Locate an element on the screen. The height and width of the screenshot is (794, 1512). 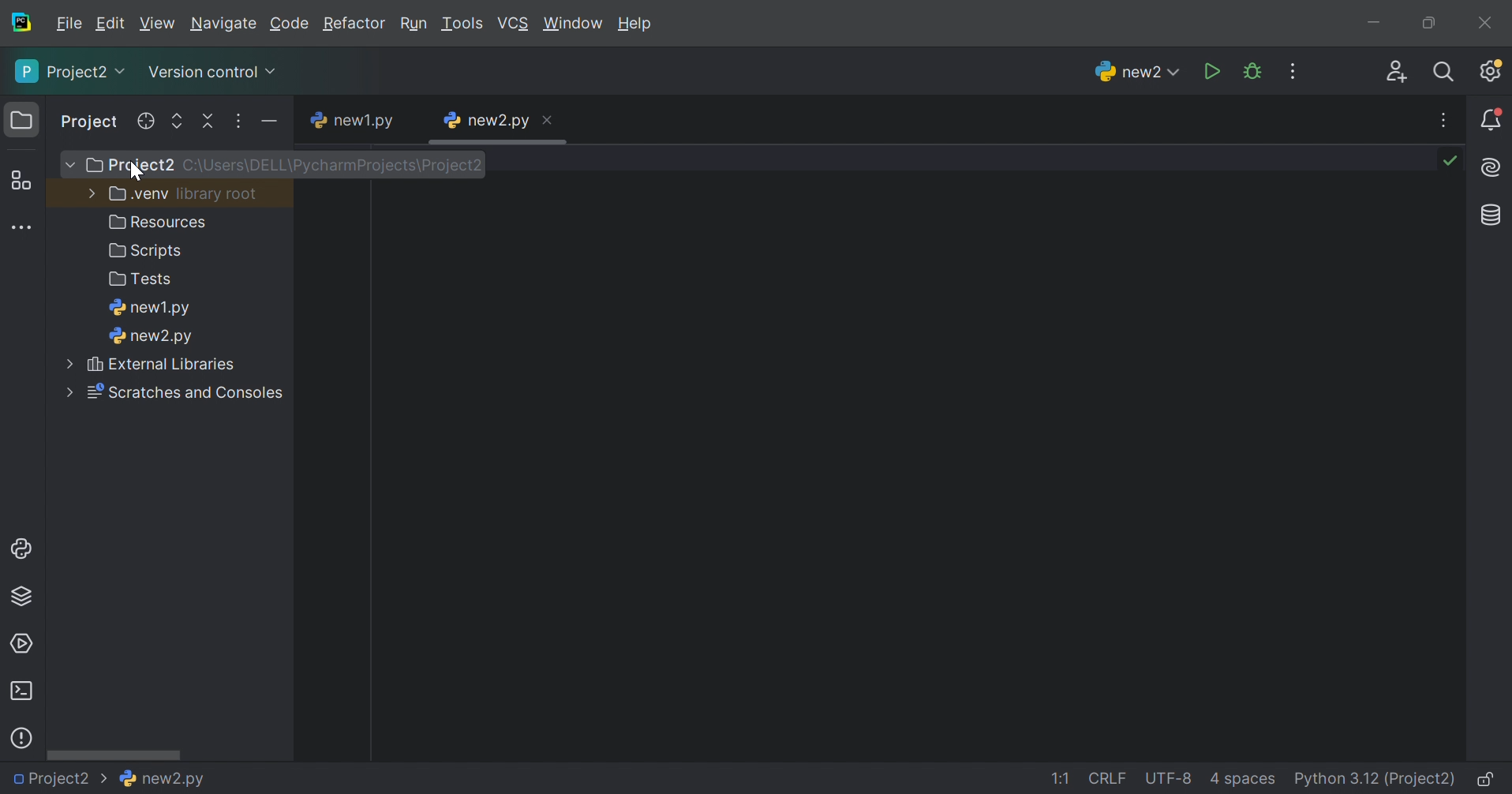
new1.py is located at coordinates (352, 122).